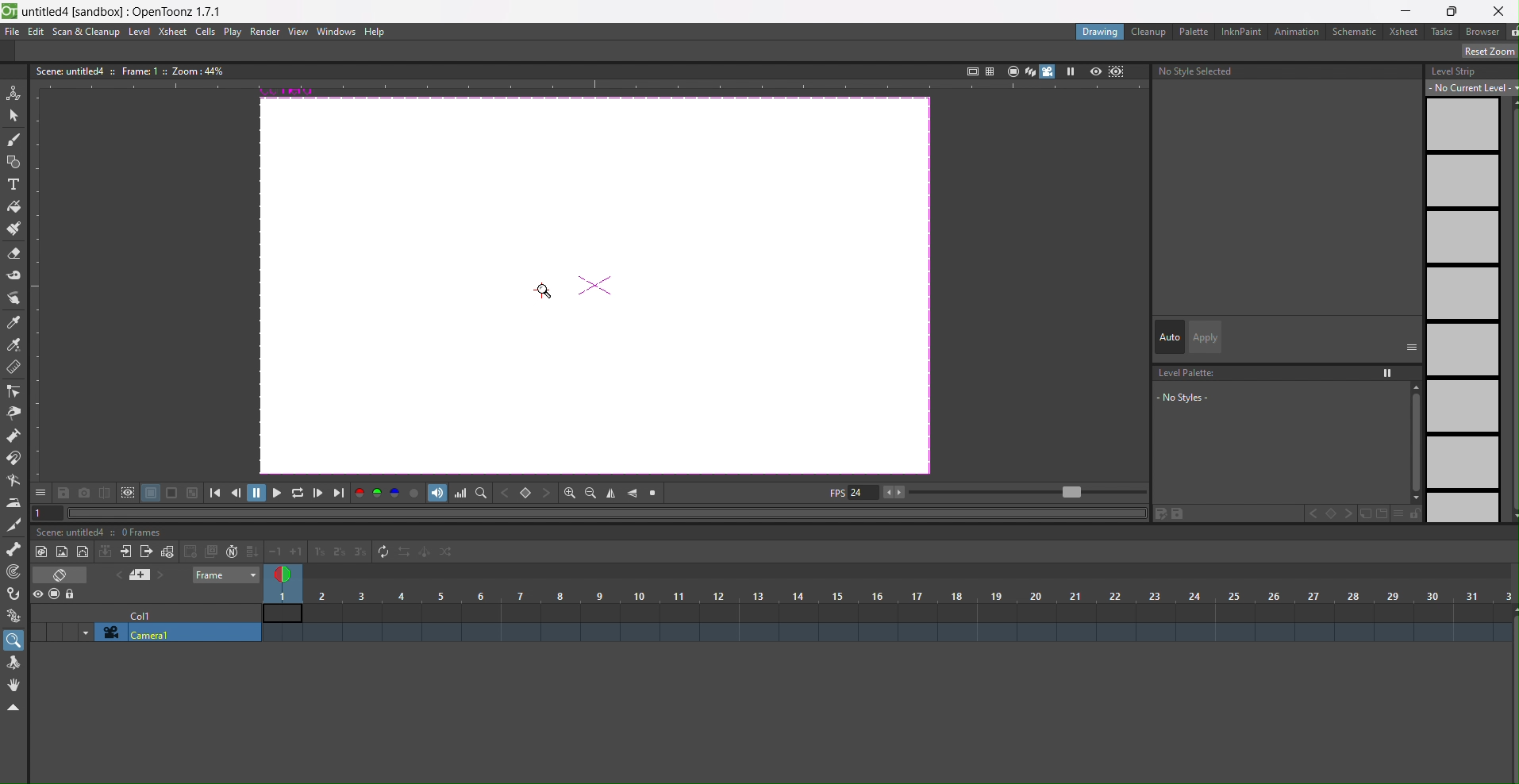 This screenshot has width=1519, height=784. Describe the element at coordinates (14, 594) in the screenshot. I see `hook tool` at that location.